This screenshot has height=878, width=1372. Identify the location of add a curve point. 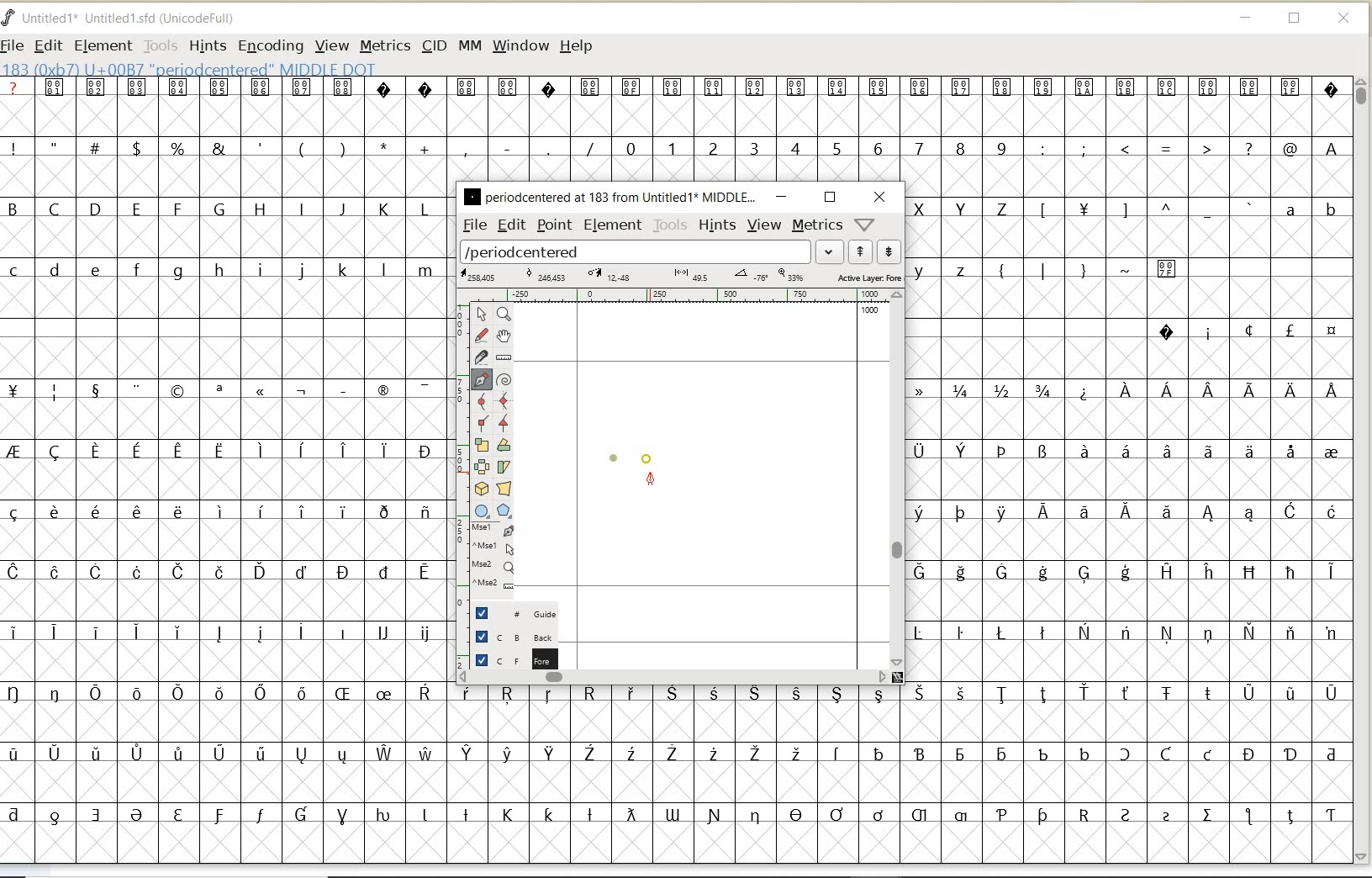
(483, 399).